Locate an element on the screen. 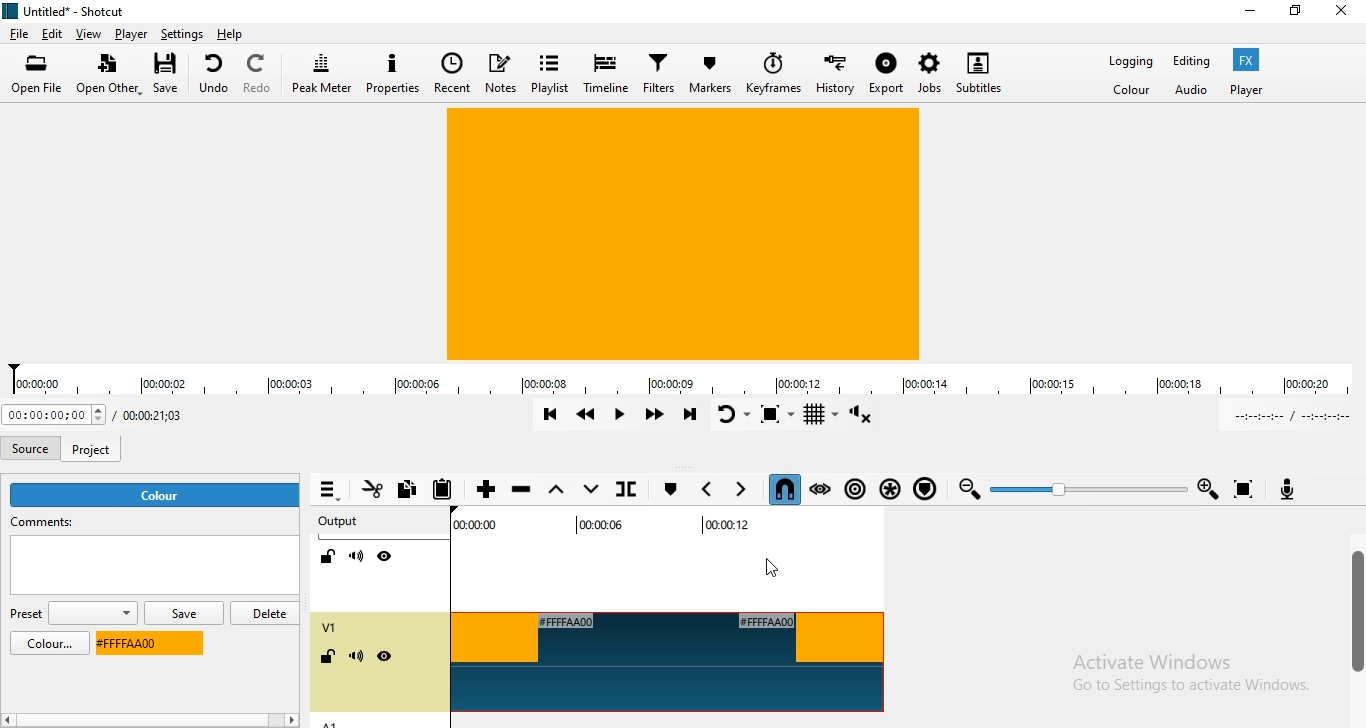  Toggle zoom is located at coordinates (776, 413).